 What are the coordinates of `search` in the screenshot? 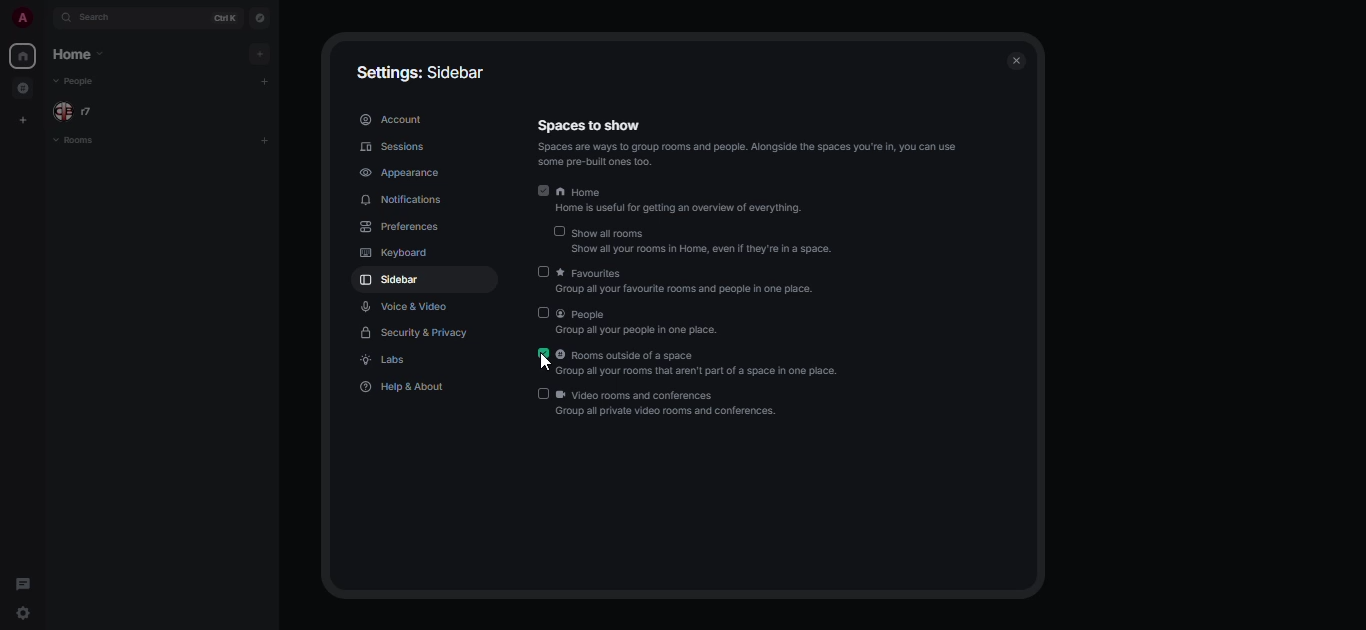 It's located at (101, 20).